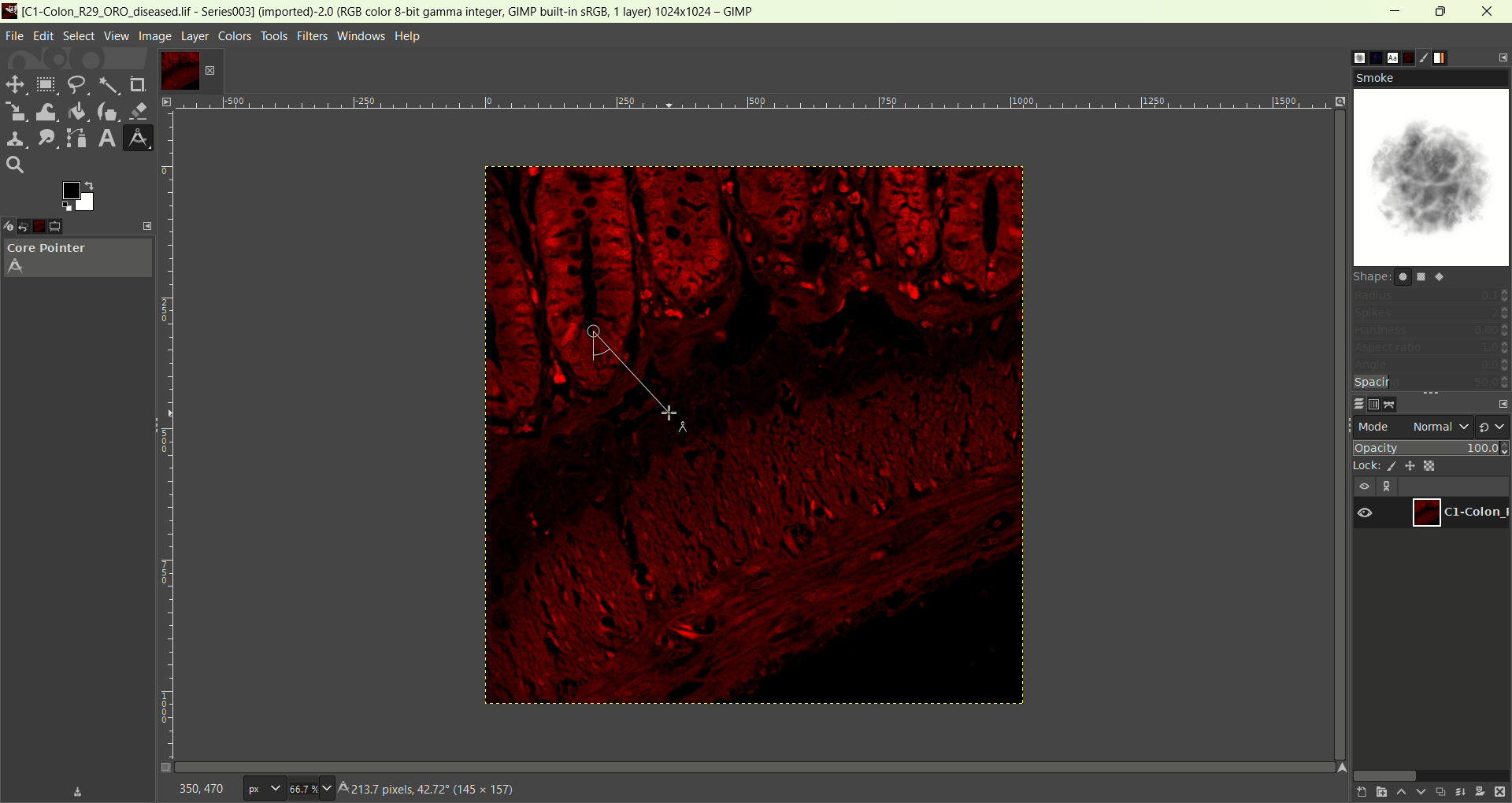  I want to click on file, so click(15, 37).